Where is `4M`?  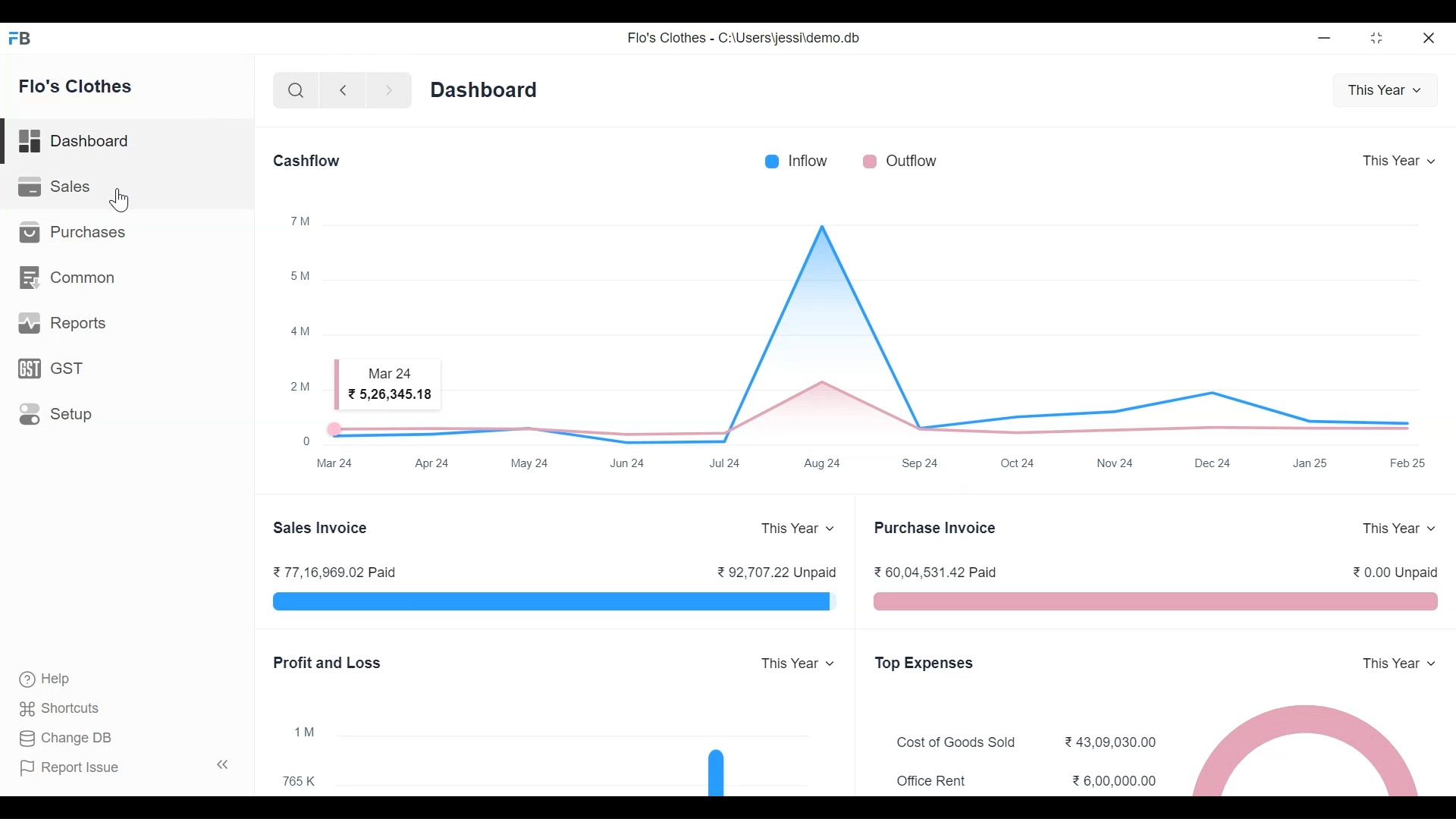 4M is located at coordinates (300, 329).